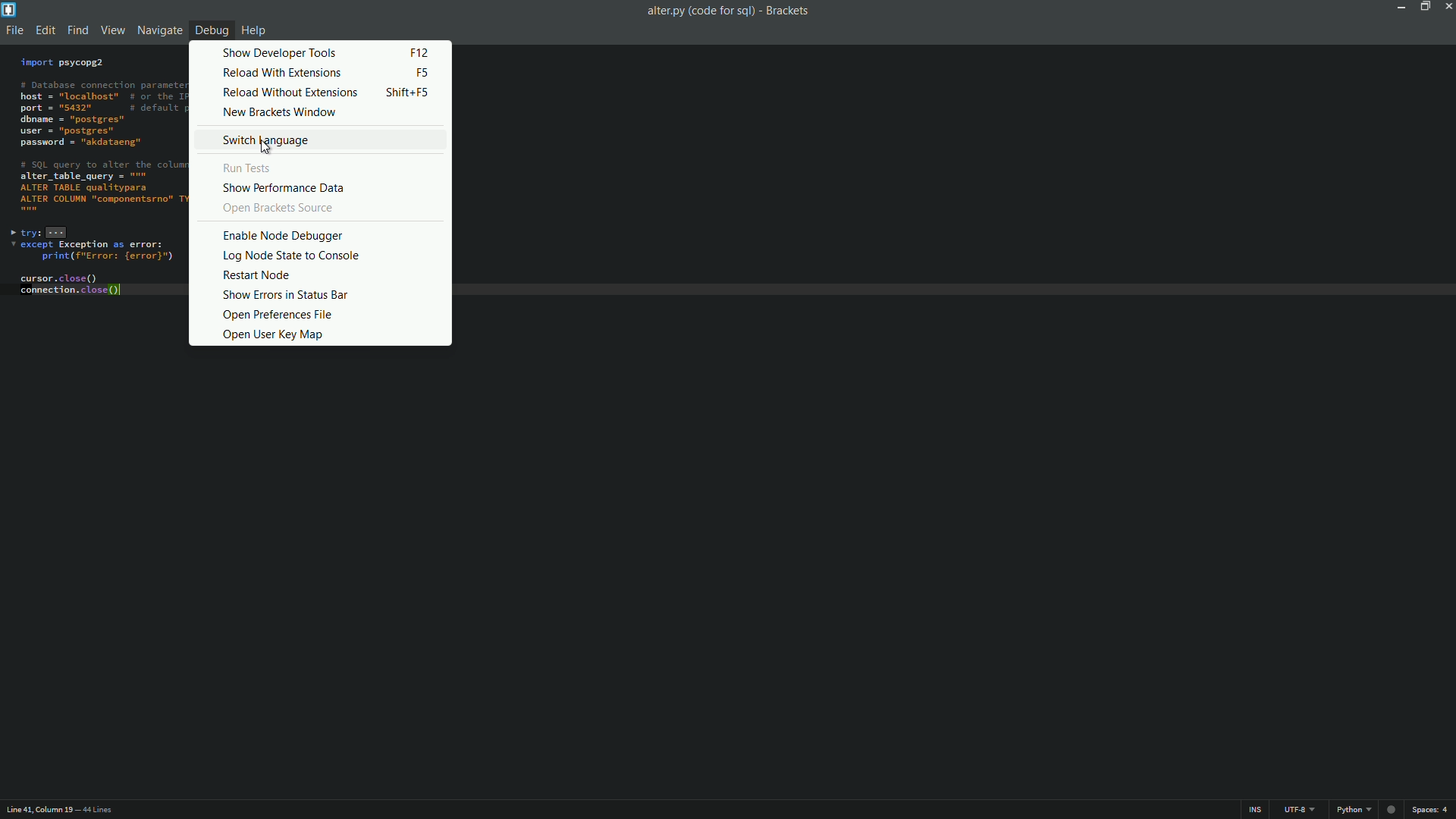 The image size is (1456, 819). What do you see at coordinates (1403, 8) in the screenshot?
I see `minimize` at bounding box center [1403, 8].